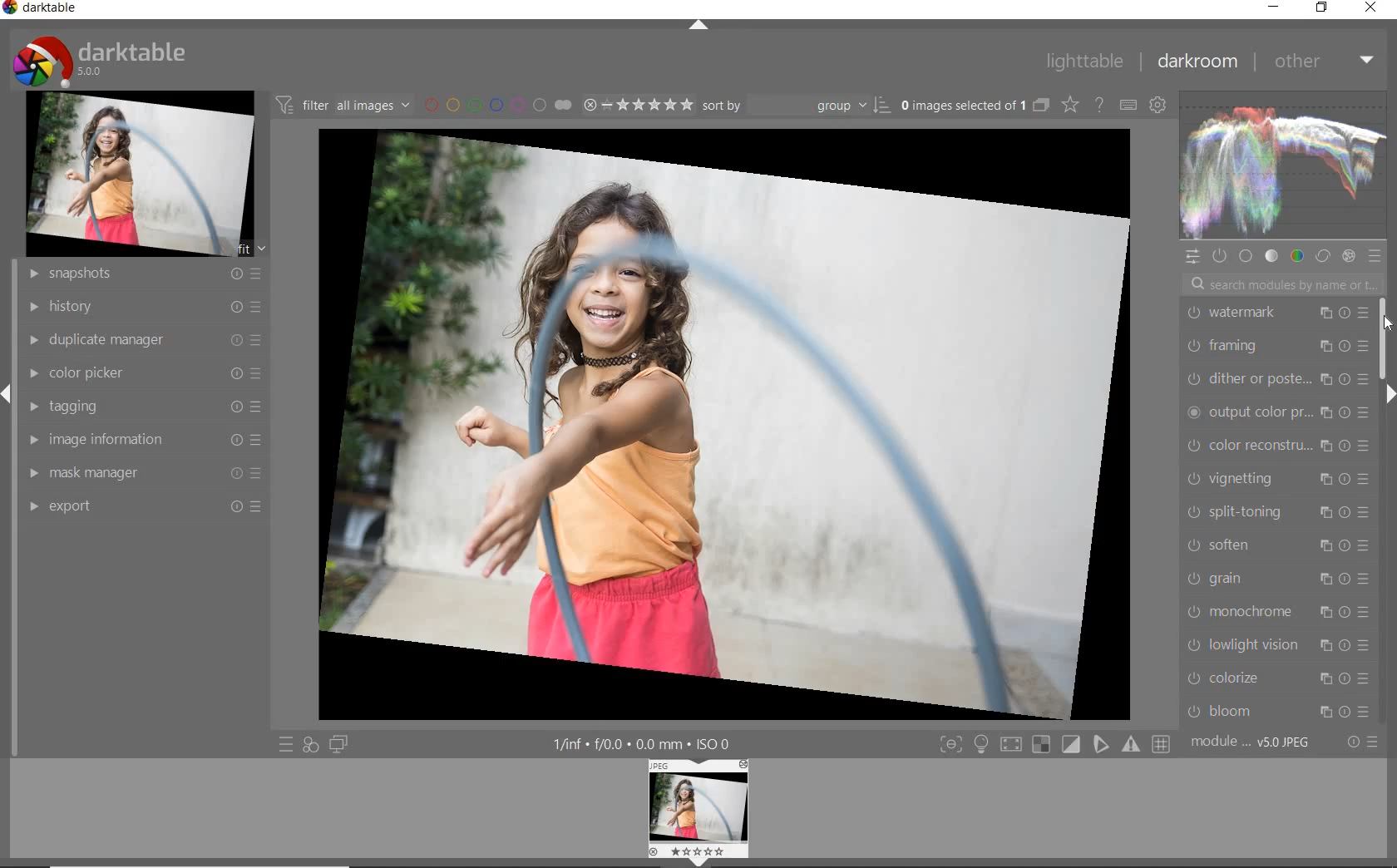  What do you see at coordinates (1072, 106) in the screenshot?
I see `change type of overlay` at bounding box center [1072, 106].